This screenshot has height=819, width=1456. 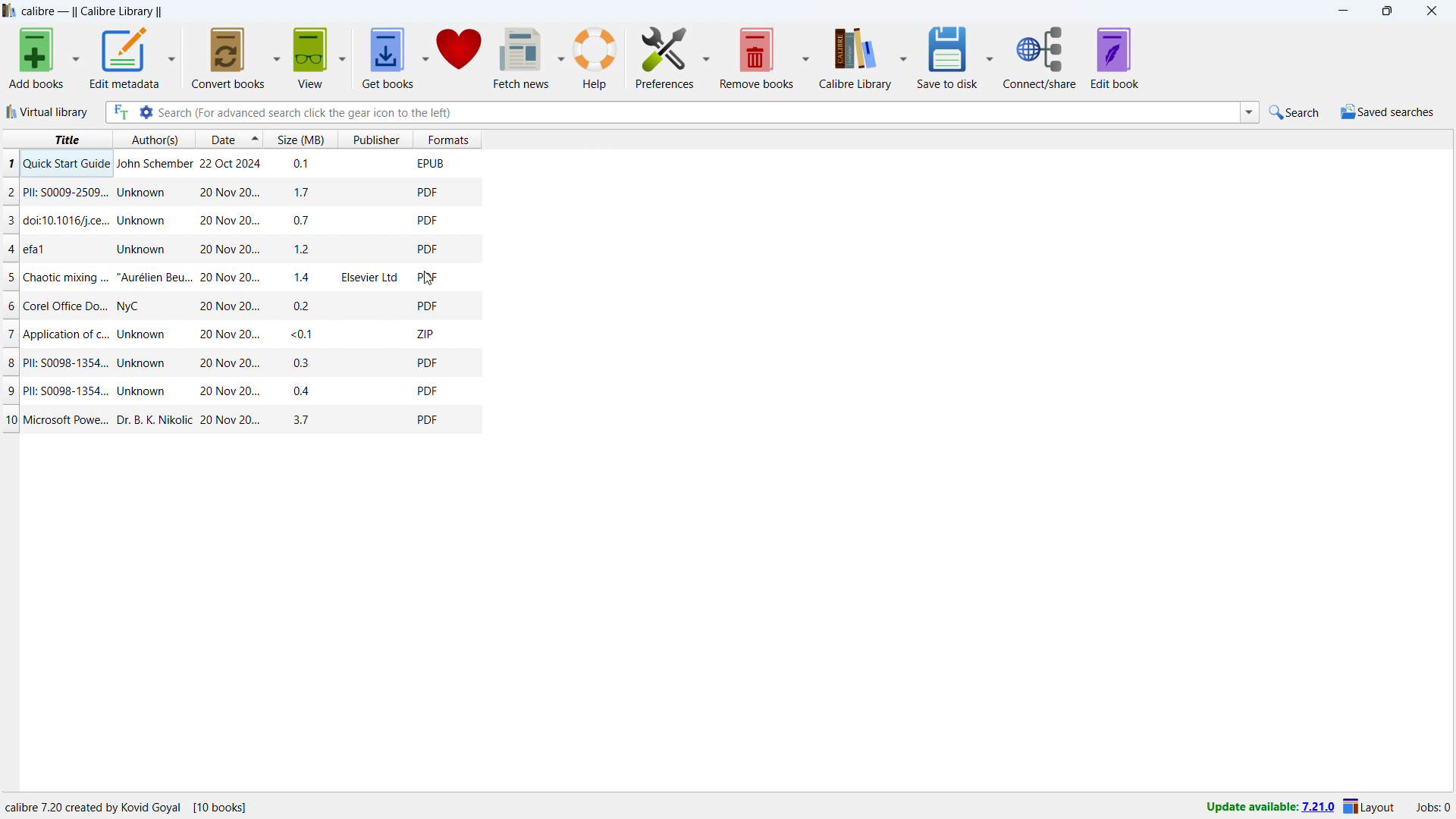 What do you see at coordinates (269, 221) in the screenshot?
I see `> aor10.1016/).ce... Unknown <U Nov ZU... u.r POF` at bounding box center [269, 221].